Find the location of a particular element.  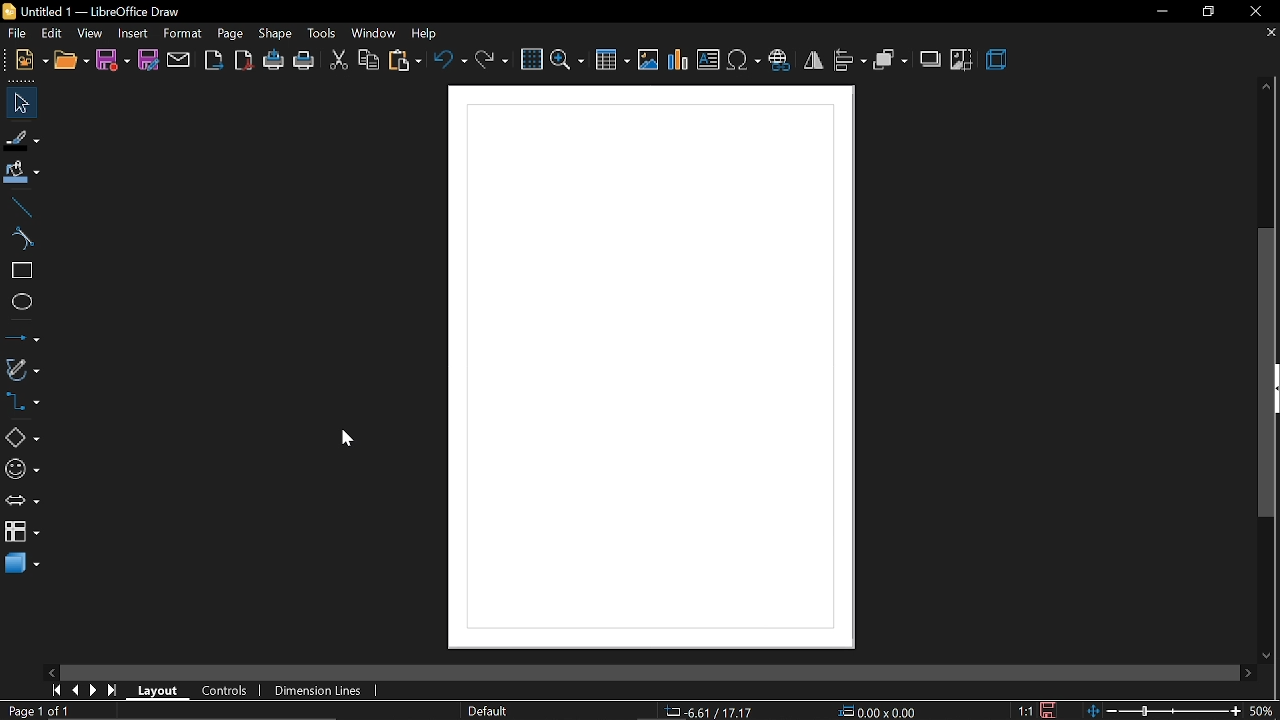

-6.61/17.17 - co-ordinate is located at coordinates (714, 710).